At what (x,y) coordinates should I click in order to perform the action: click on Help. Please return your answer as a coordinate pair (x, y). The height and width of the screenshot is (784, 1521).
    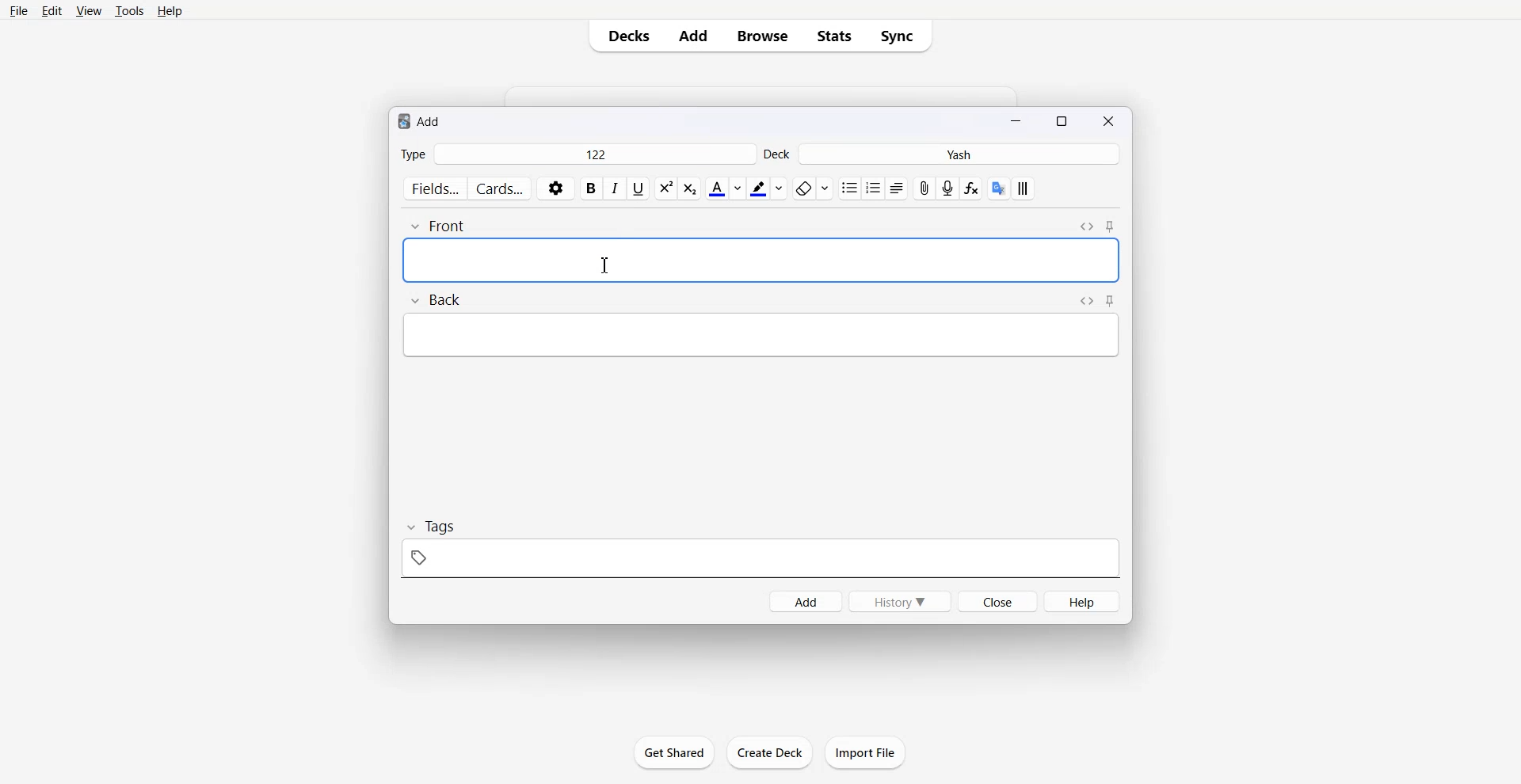
    Looking at the image, I should click on (170, 10).